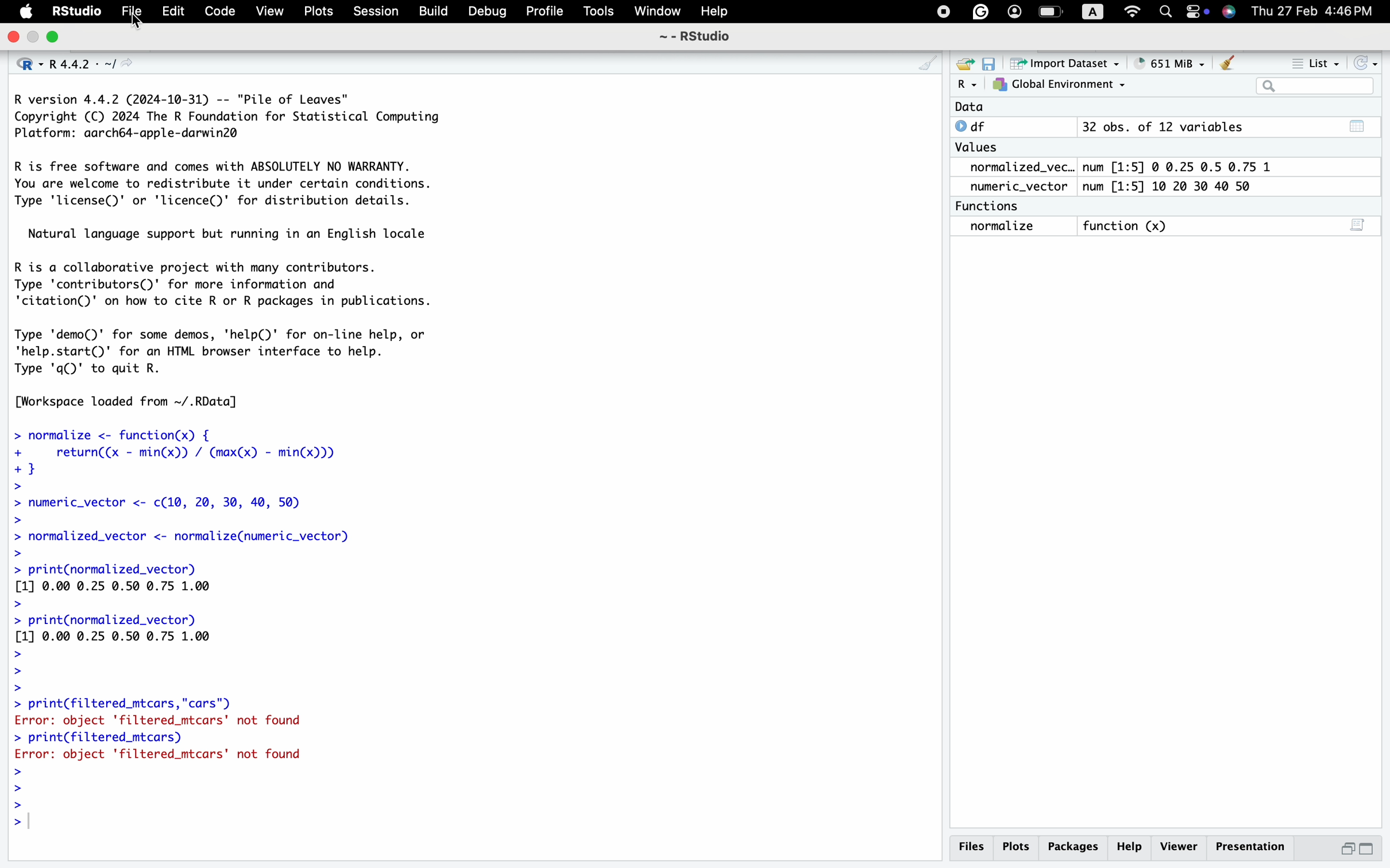  Describe the element at coordinates (140, 25) in the screenshot. I see `cursor` at that location.